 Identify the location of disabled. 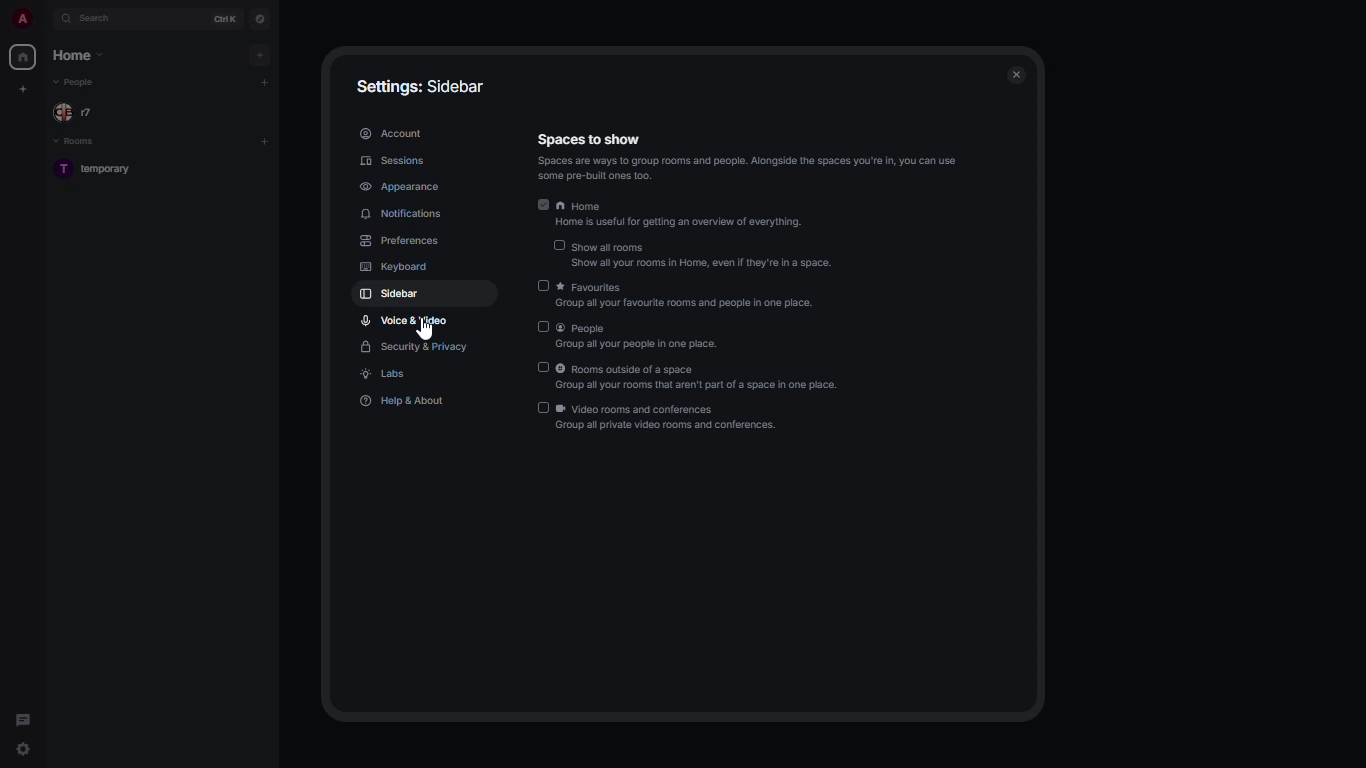
(543, 326).